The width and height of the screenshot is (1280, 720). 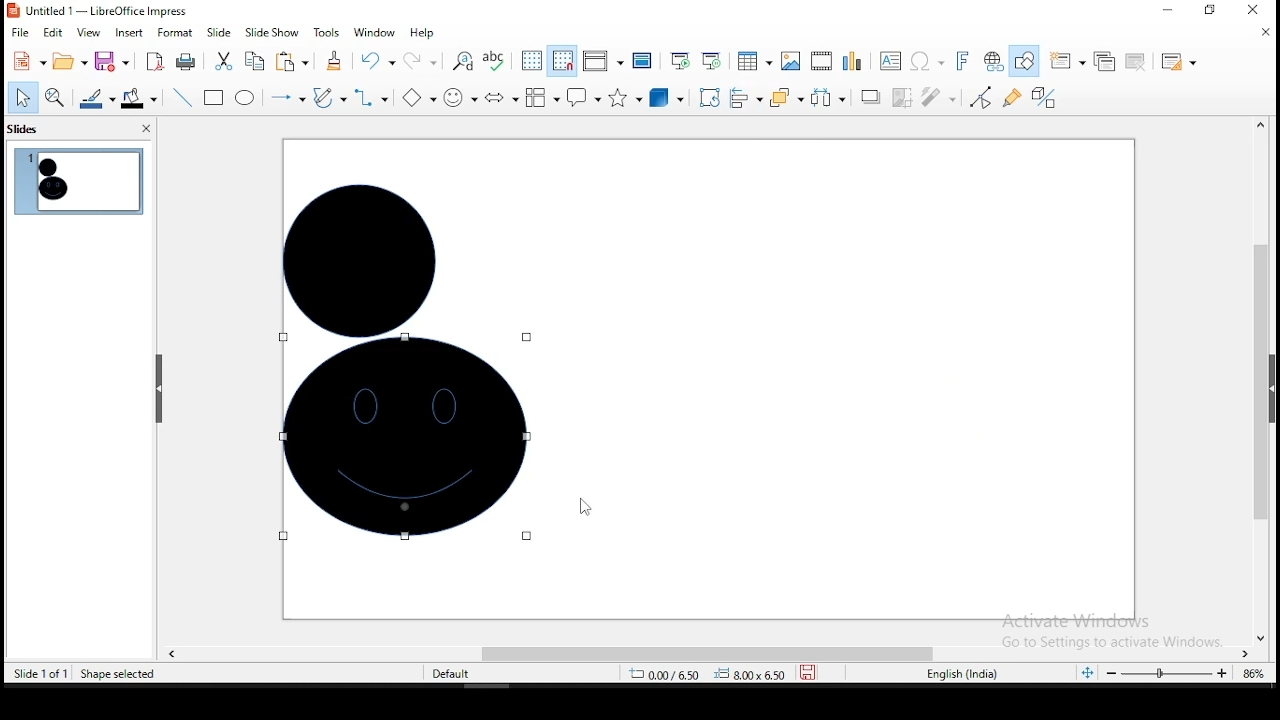 I want to click on start from current slide, so click(x=716, y=63).